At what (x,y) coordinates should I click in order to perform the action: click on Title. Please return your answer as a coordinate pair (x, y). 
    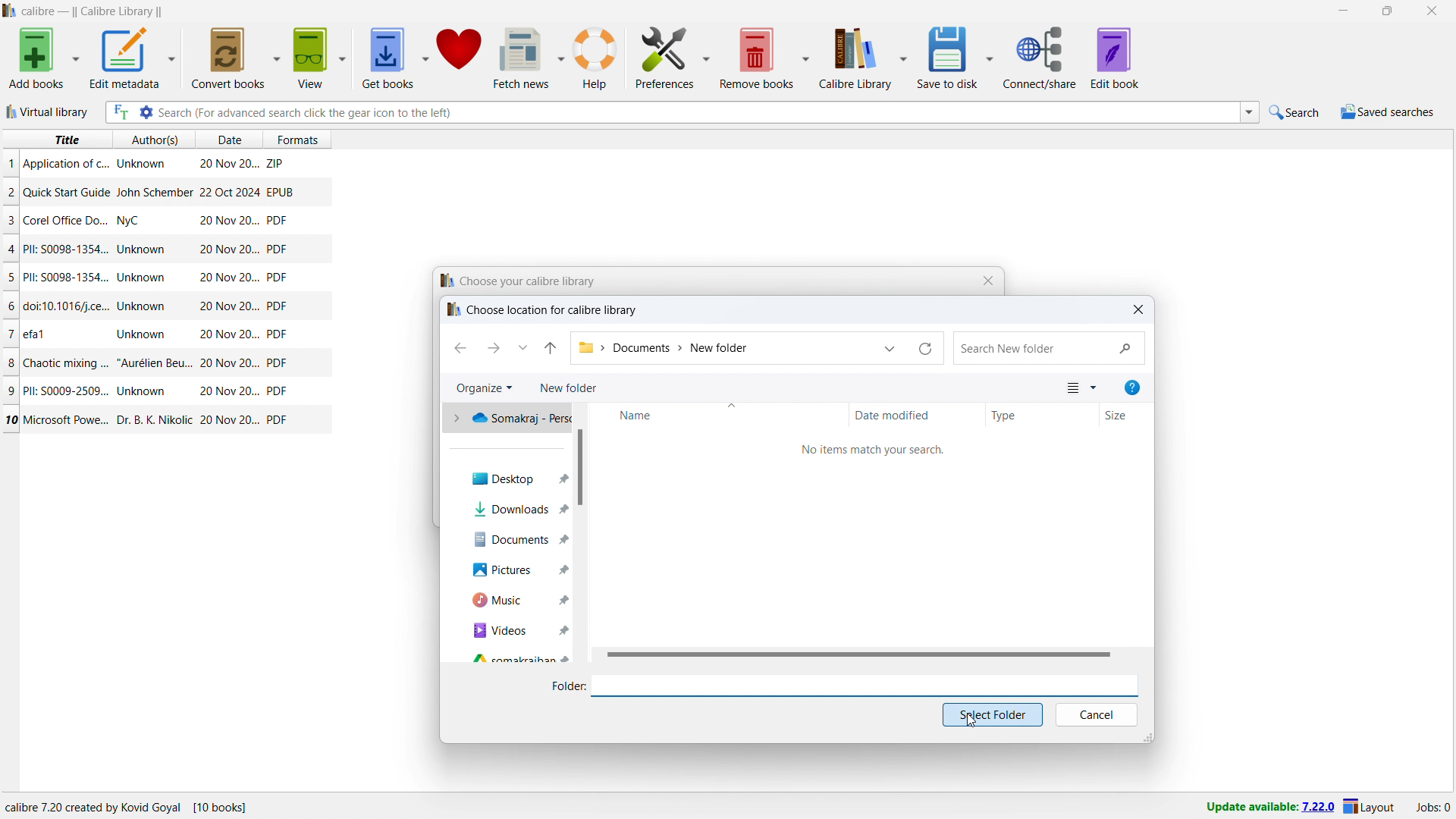
    Looking at the image, I should click on (67, 277).